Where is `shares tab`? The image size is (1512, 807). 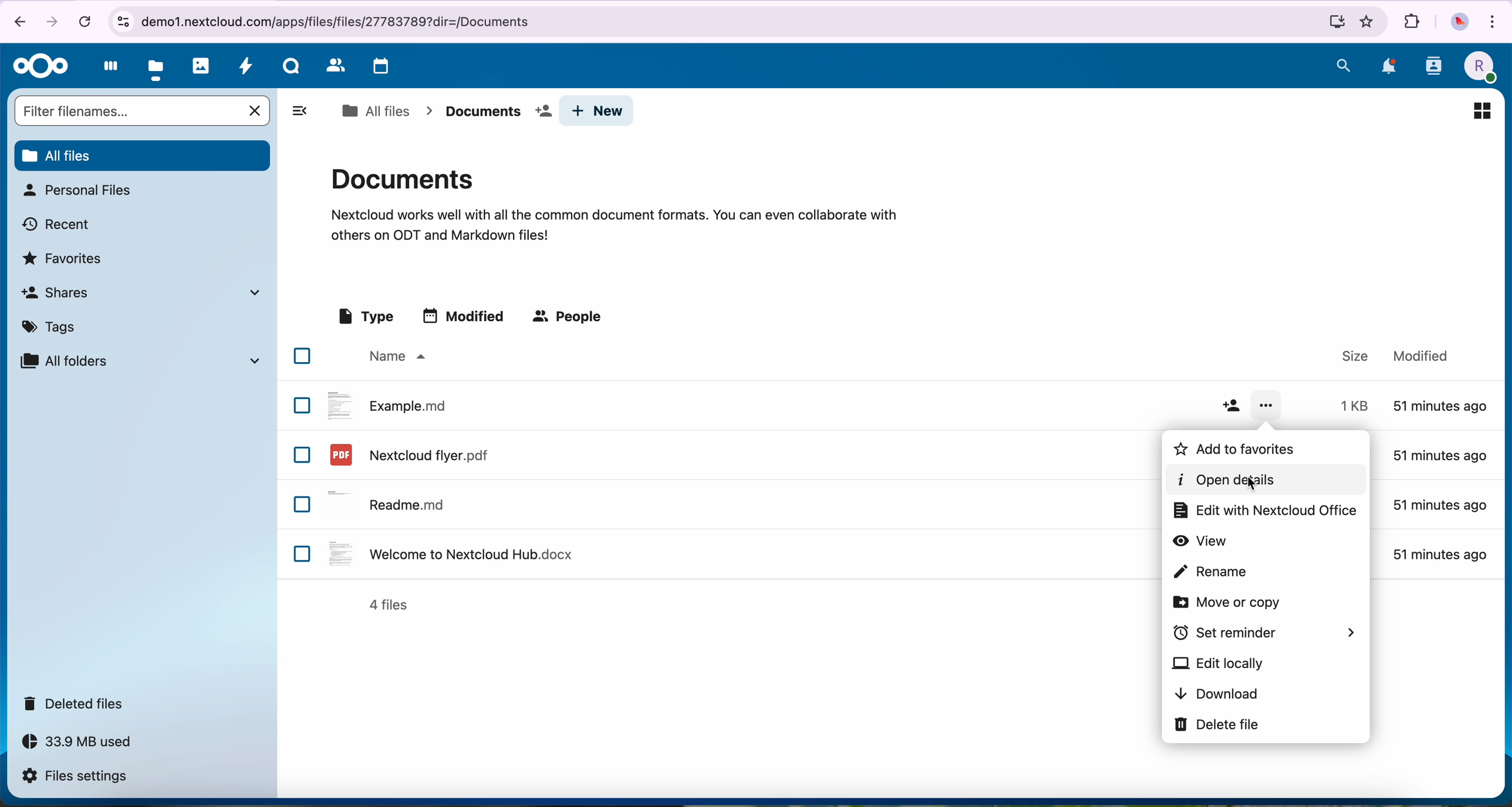 shares tab is located at coordinates (146, 292).